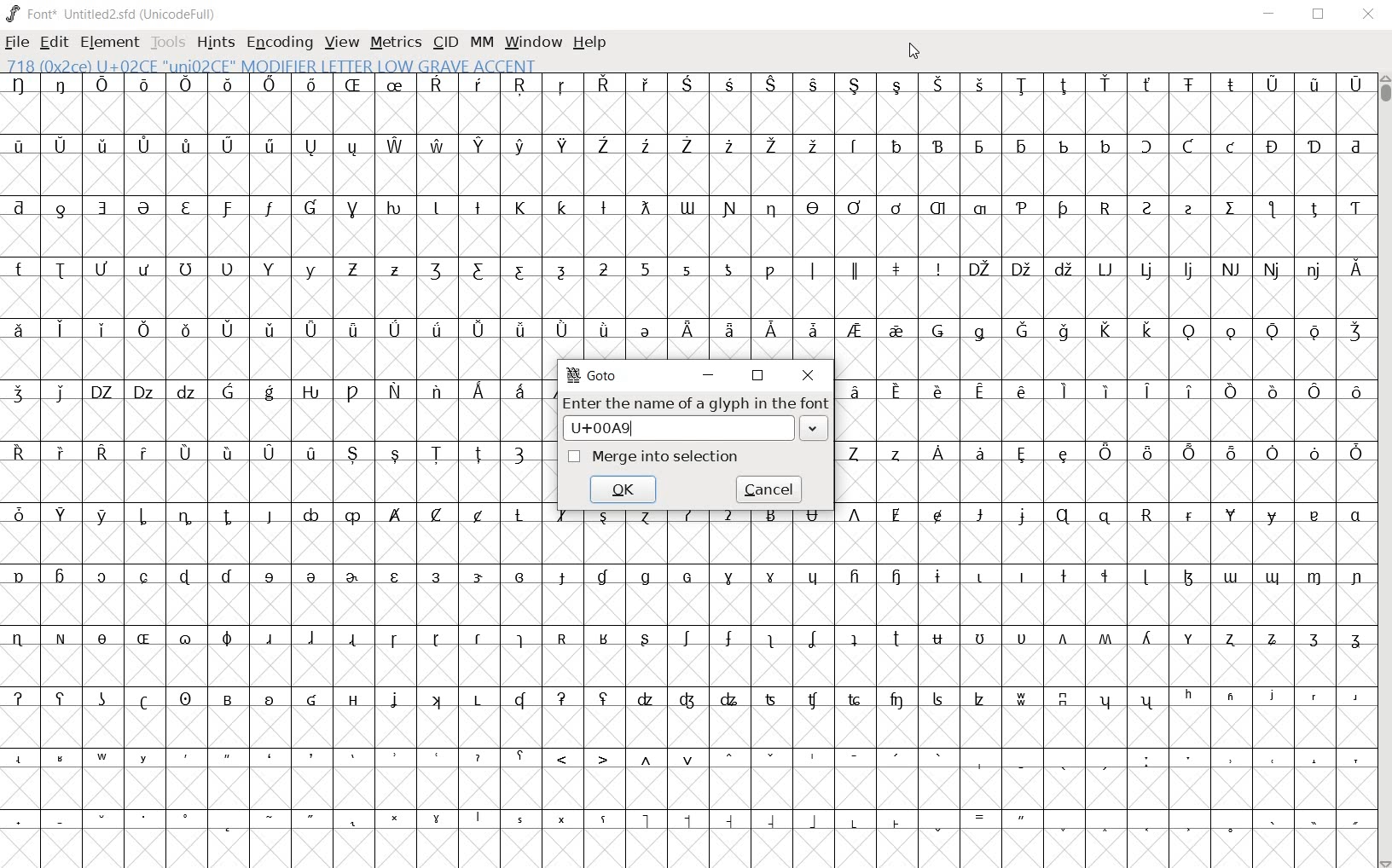 The height and width of the screenshot is (868, 1392). What do you see at coordinates (1369, 14) in the screenshot?
I see `close` at bounding box center [1369, 14].